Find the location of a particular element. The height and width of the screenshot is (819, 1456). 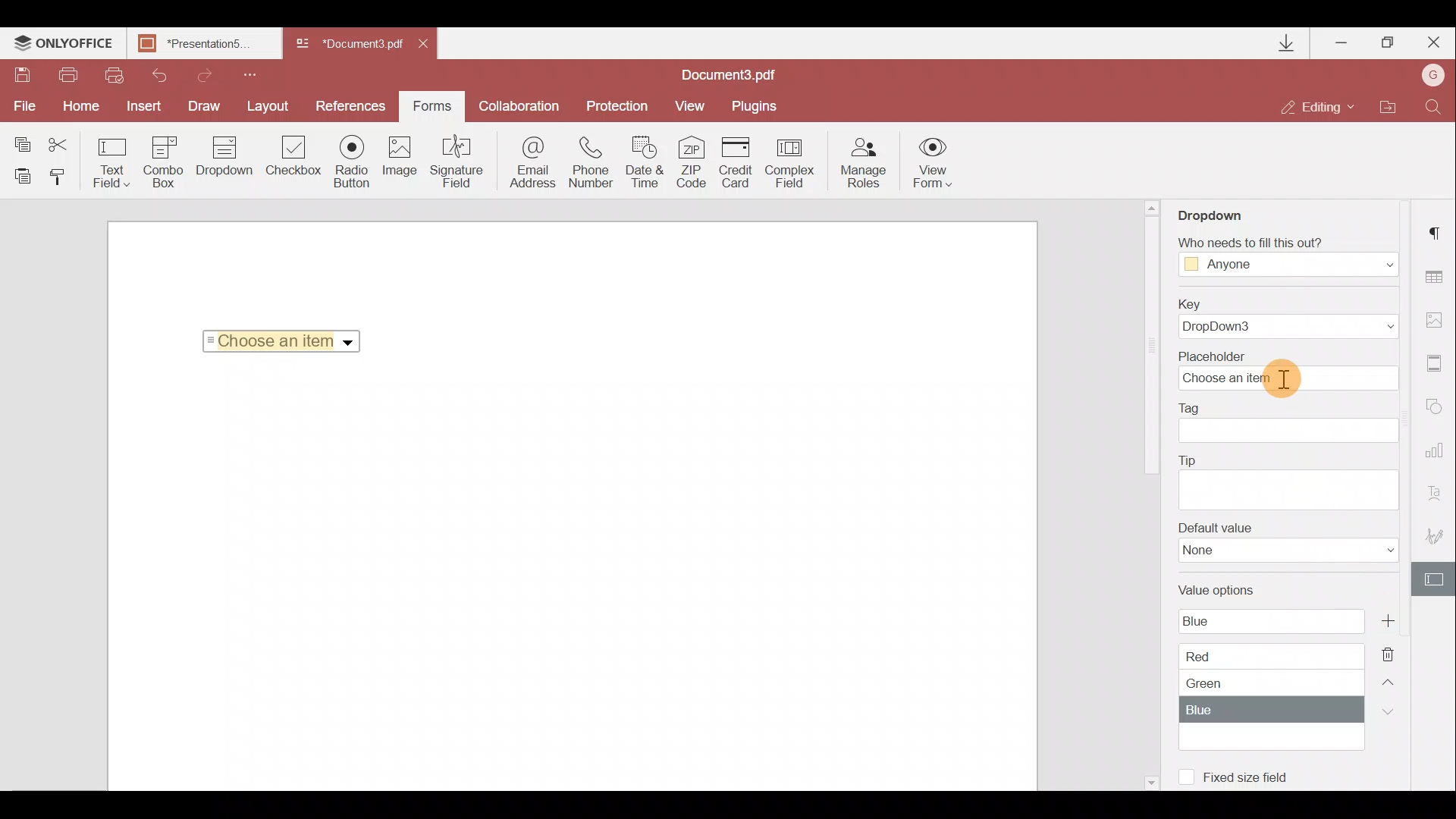

Undo is located at coordinates (158, 76).